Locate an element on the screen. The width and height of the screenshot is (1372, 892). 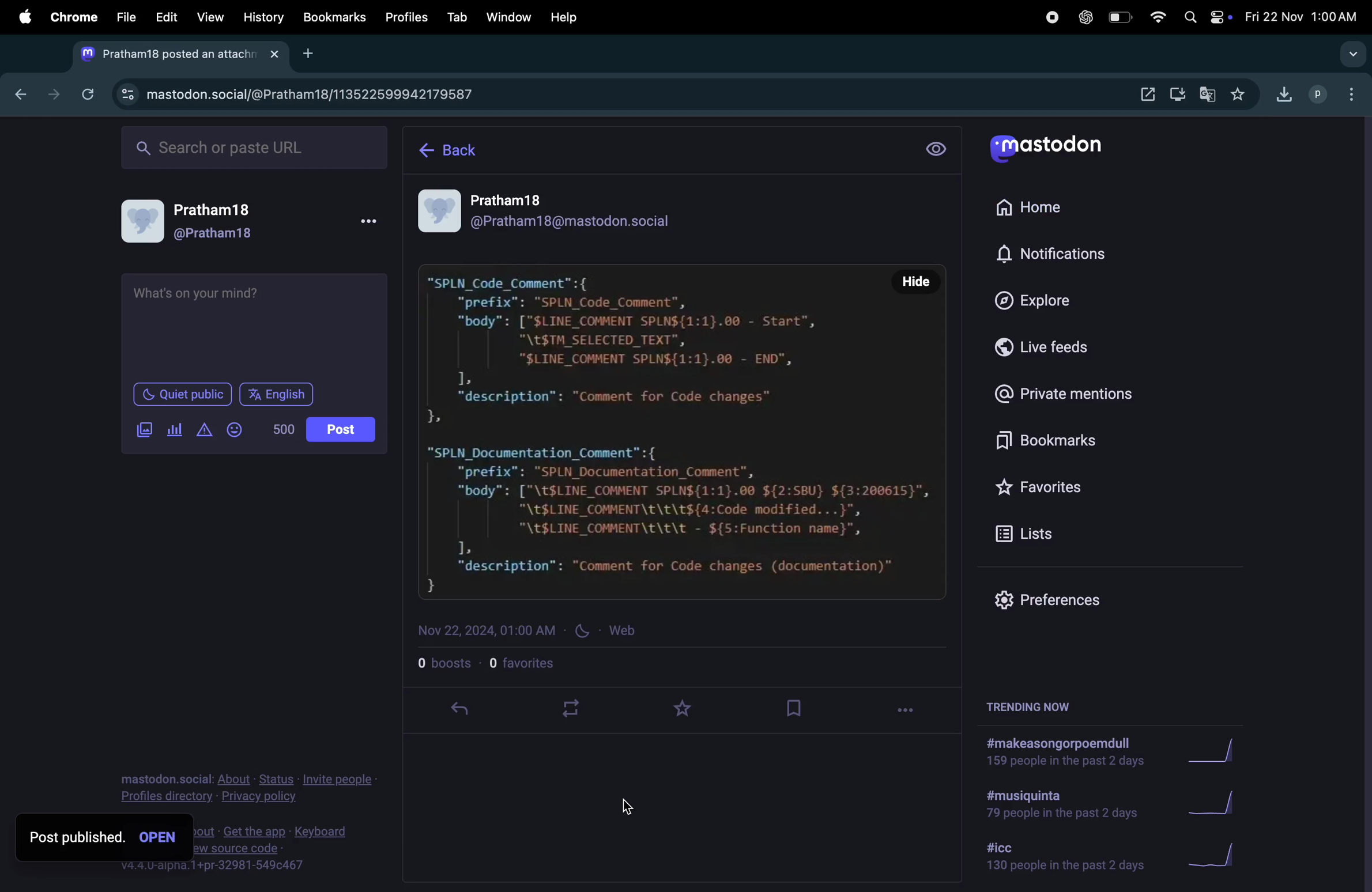
notifications is located at coordinates (1063, 252).